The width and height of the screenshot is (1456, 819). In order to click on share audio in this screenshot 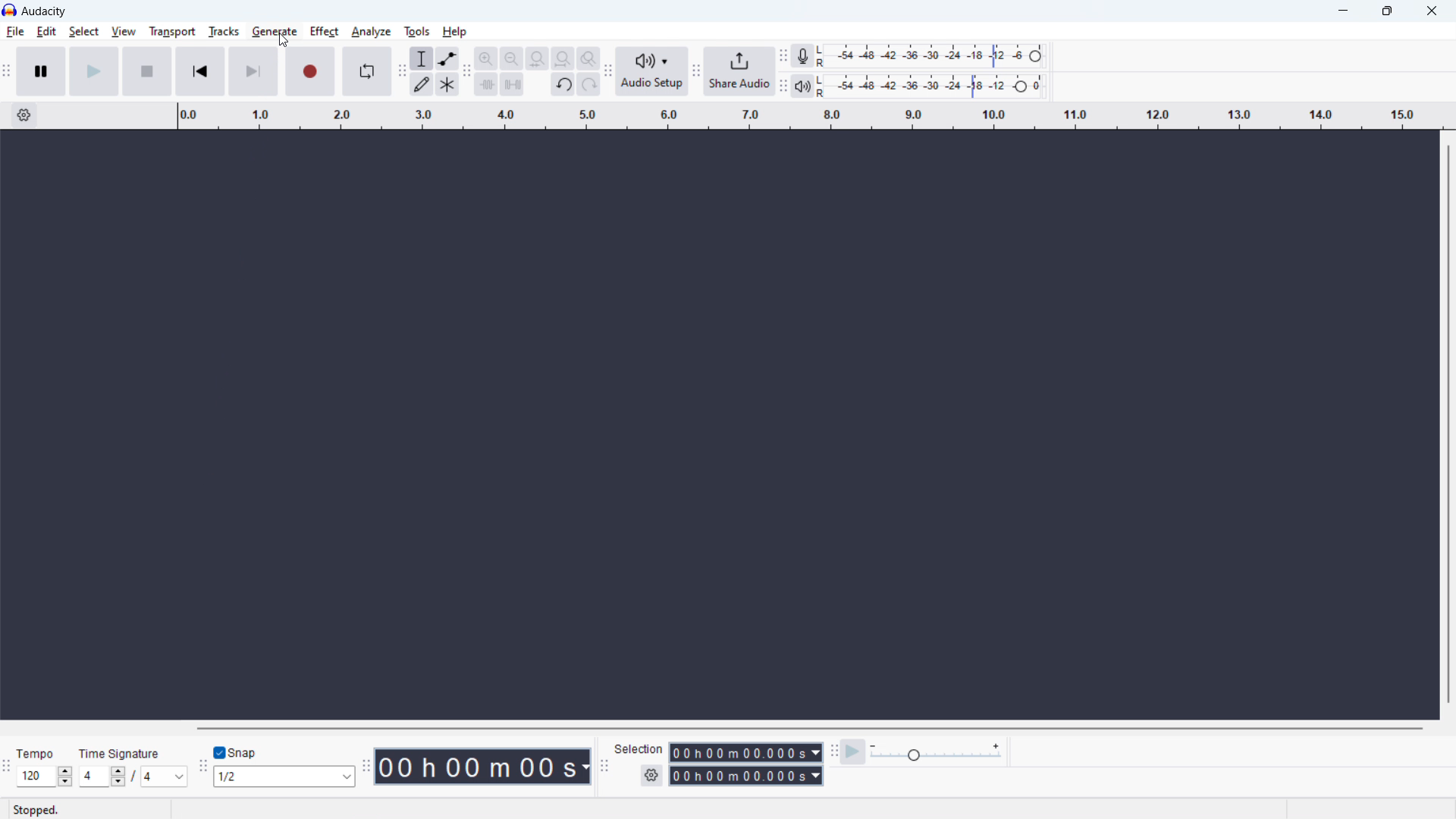, I will do `click(739, 71)`.